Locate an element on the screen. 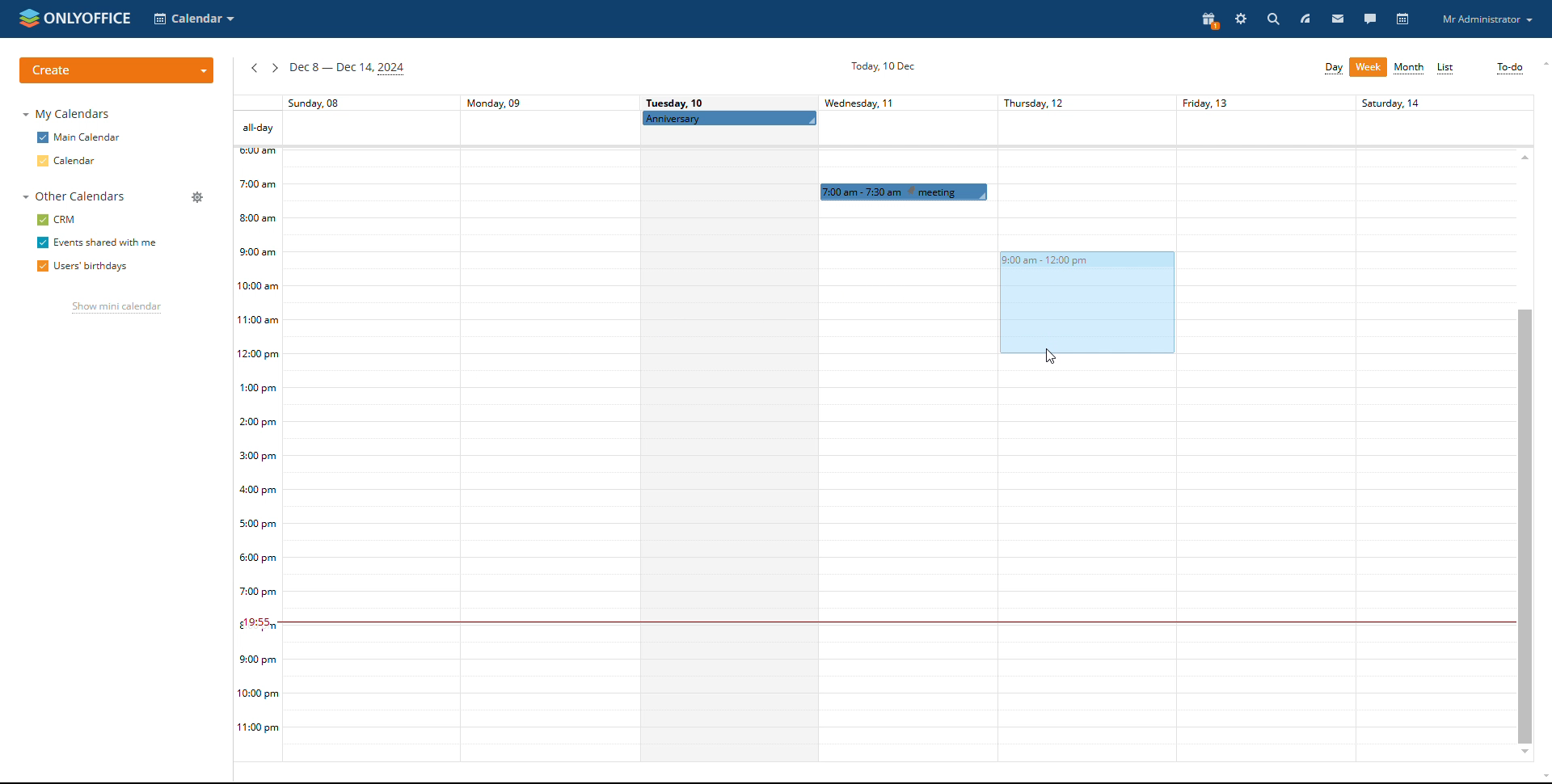 The height and width of the screenshot is (784, 1552). Tuesday, 10 is located at coordinates (677, 102).